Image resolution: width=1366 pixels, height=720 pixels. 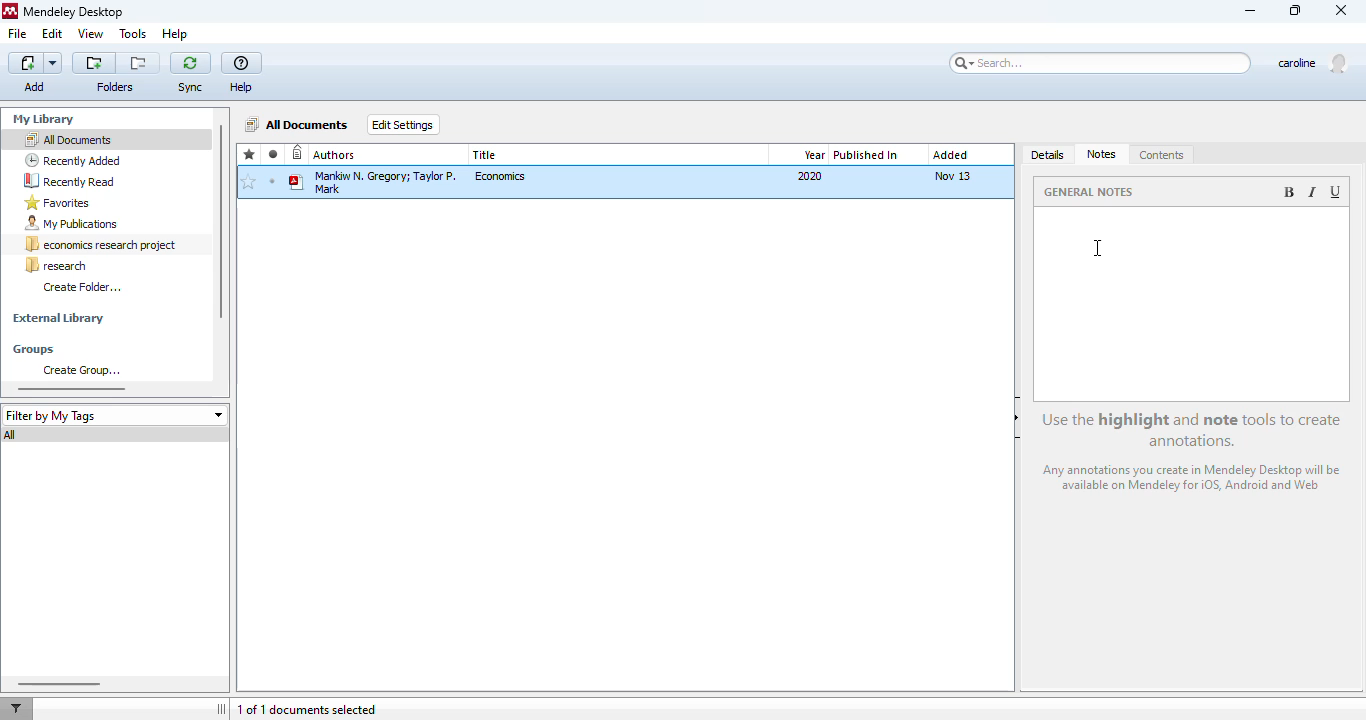 I want to click on all, so click(x=12, y=435).